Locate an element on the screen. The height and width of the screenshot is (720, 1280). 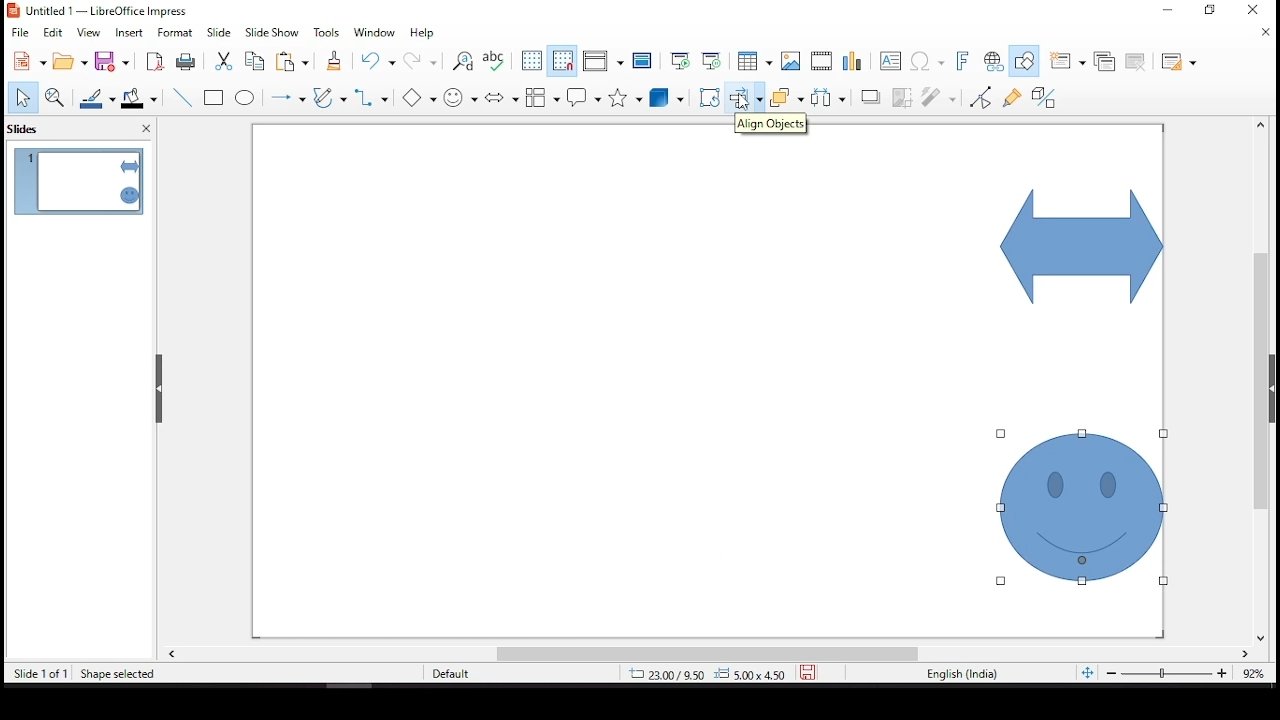
insert font work text is located at coordinates (959, 63).